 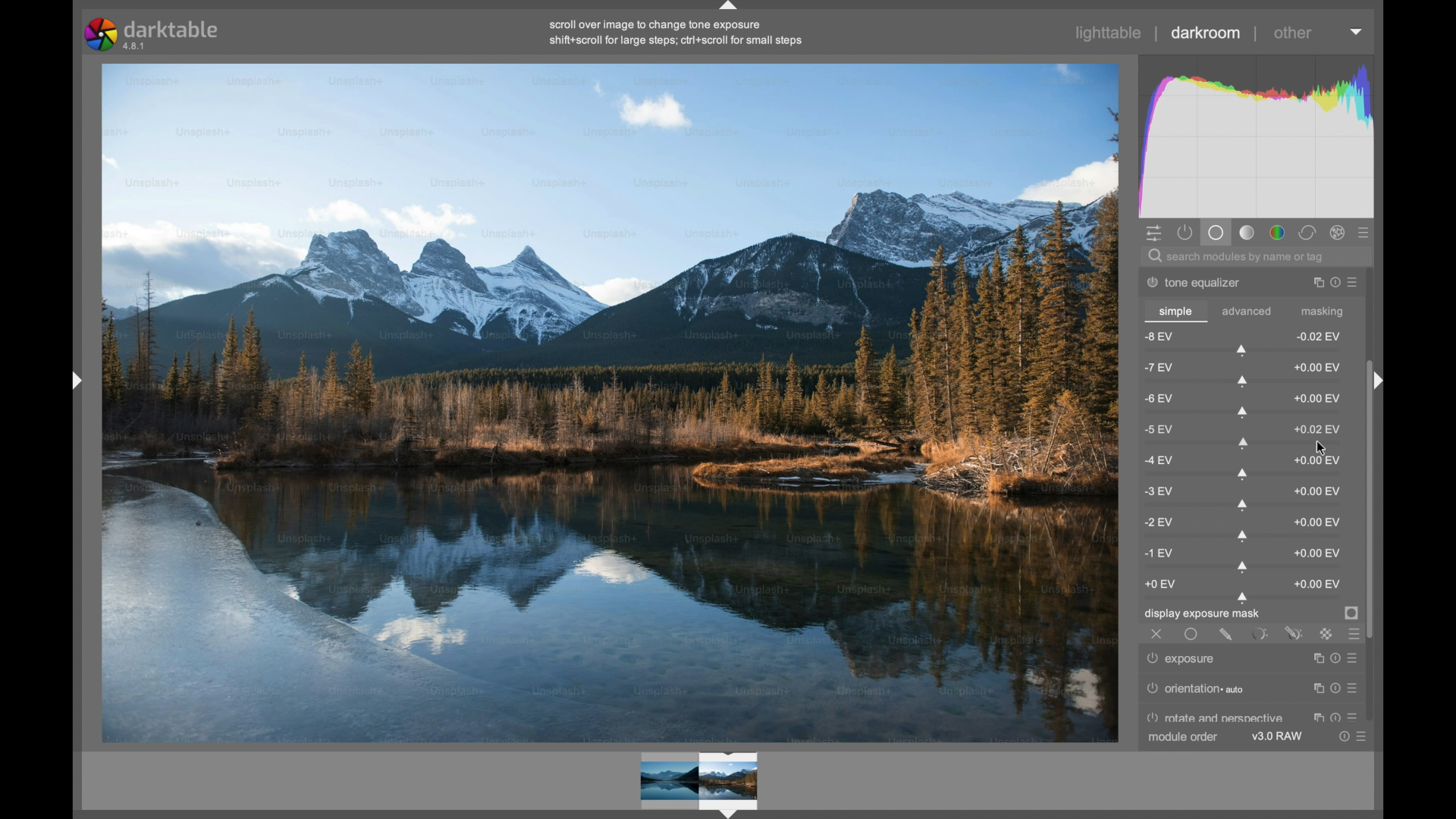 What do you see at coordinates (1172, 312) in the screenshot?
I see `simple` at bounding box center [1172, 312].